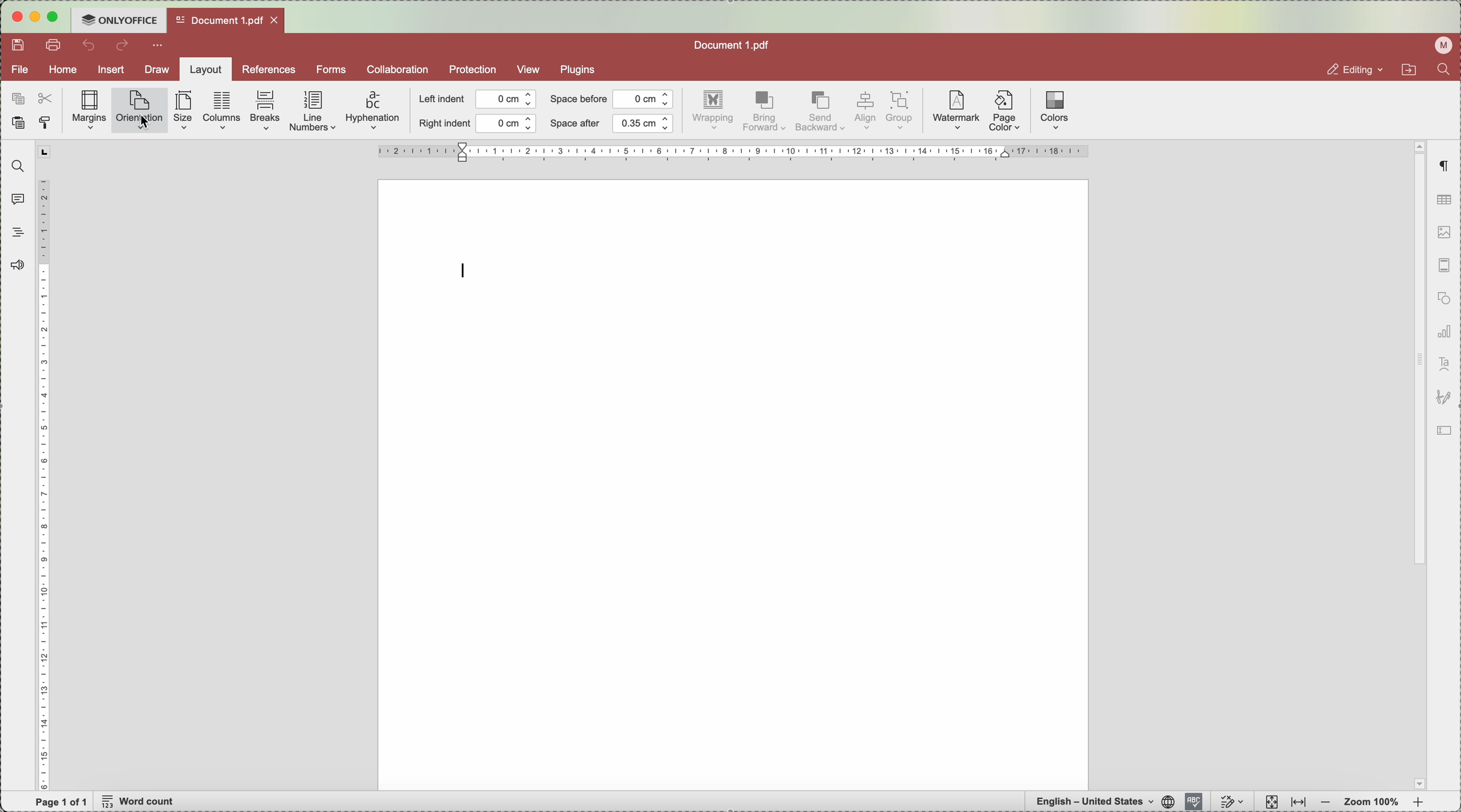  I want to click on workspace, so click(734, 484).